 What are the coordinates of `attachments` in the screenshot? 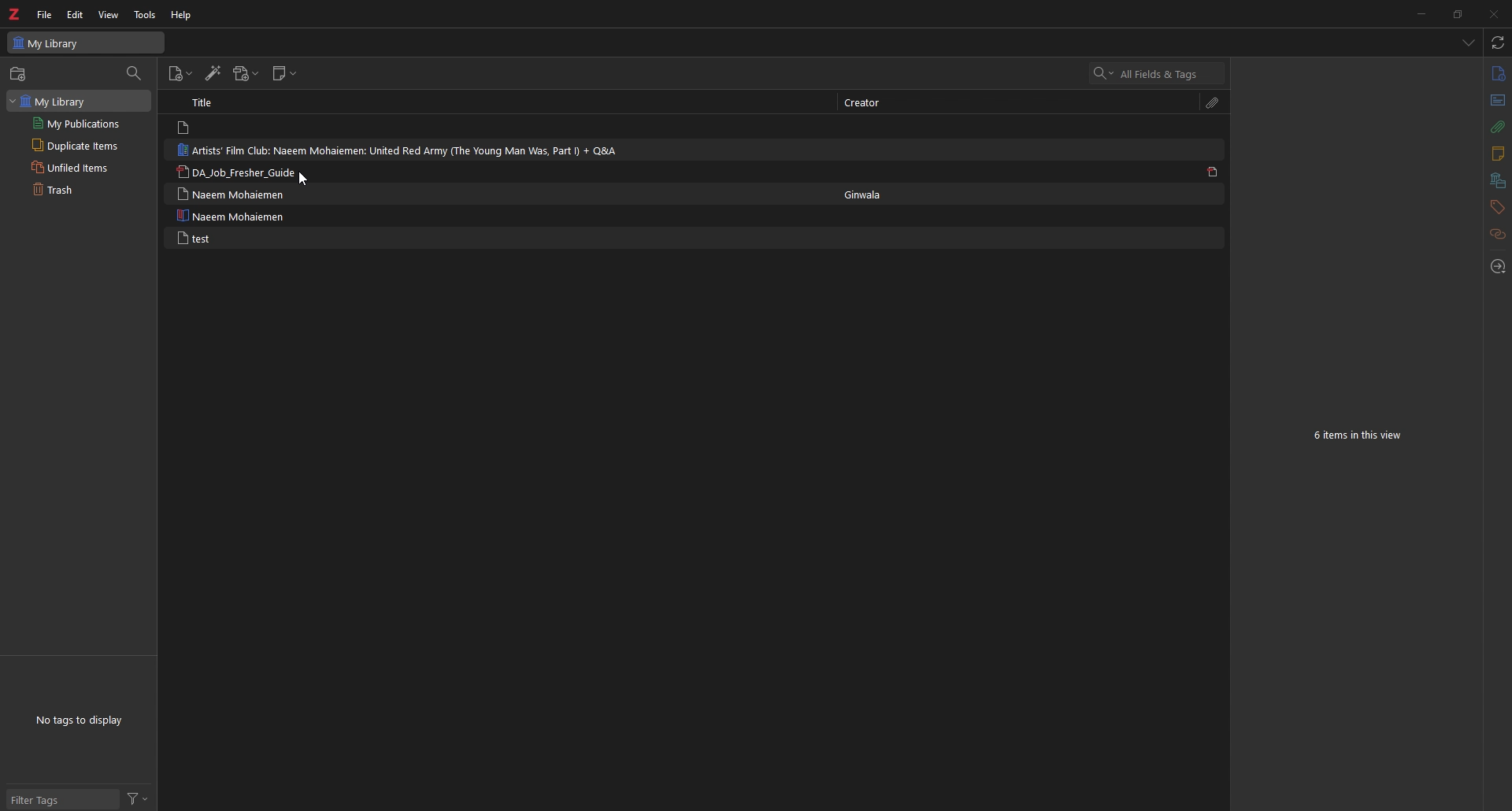 It's located at (1497, 127).